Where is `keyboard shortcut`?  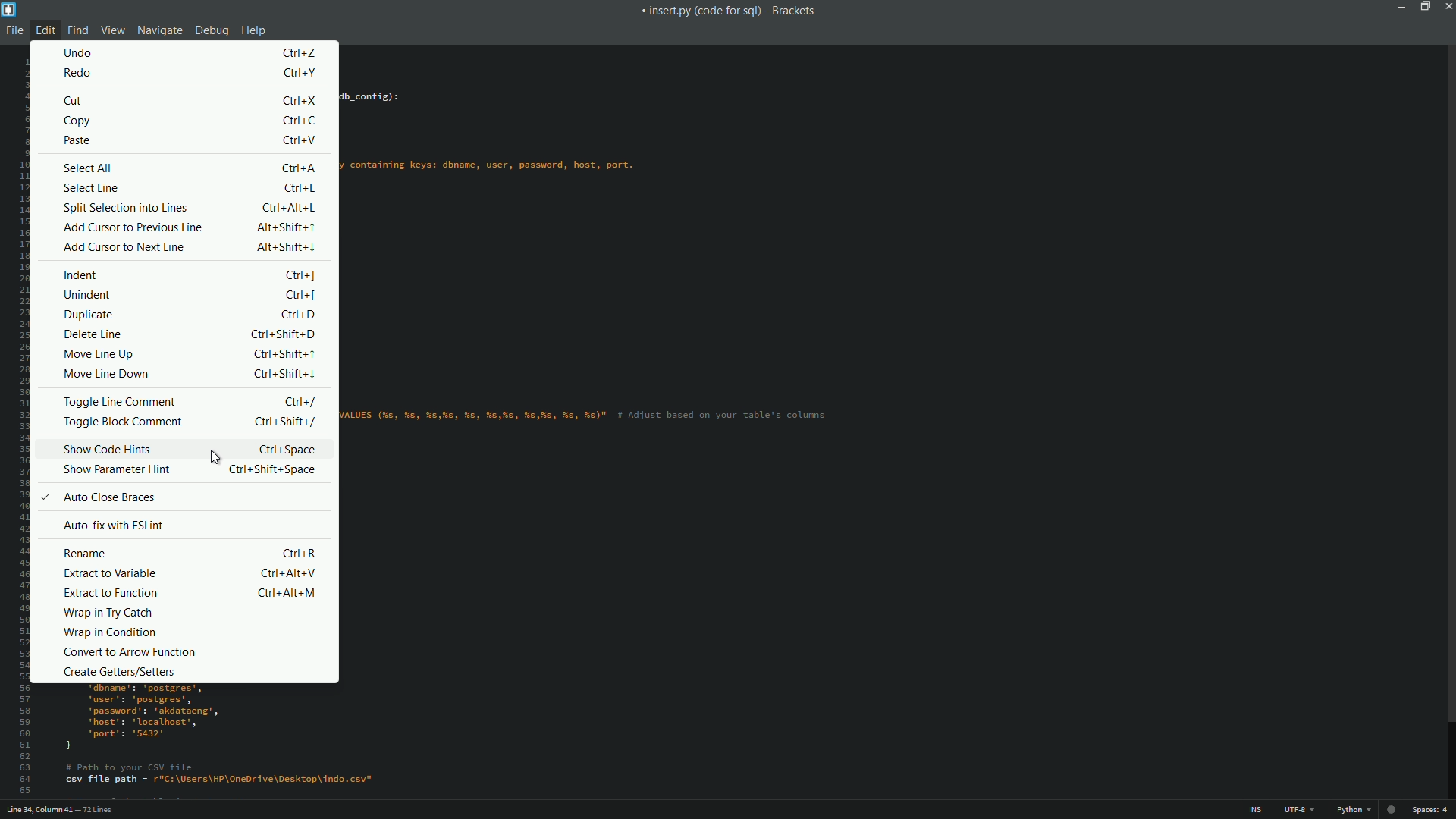
keyboard shortcut is located at coordinates (285, 354).